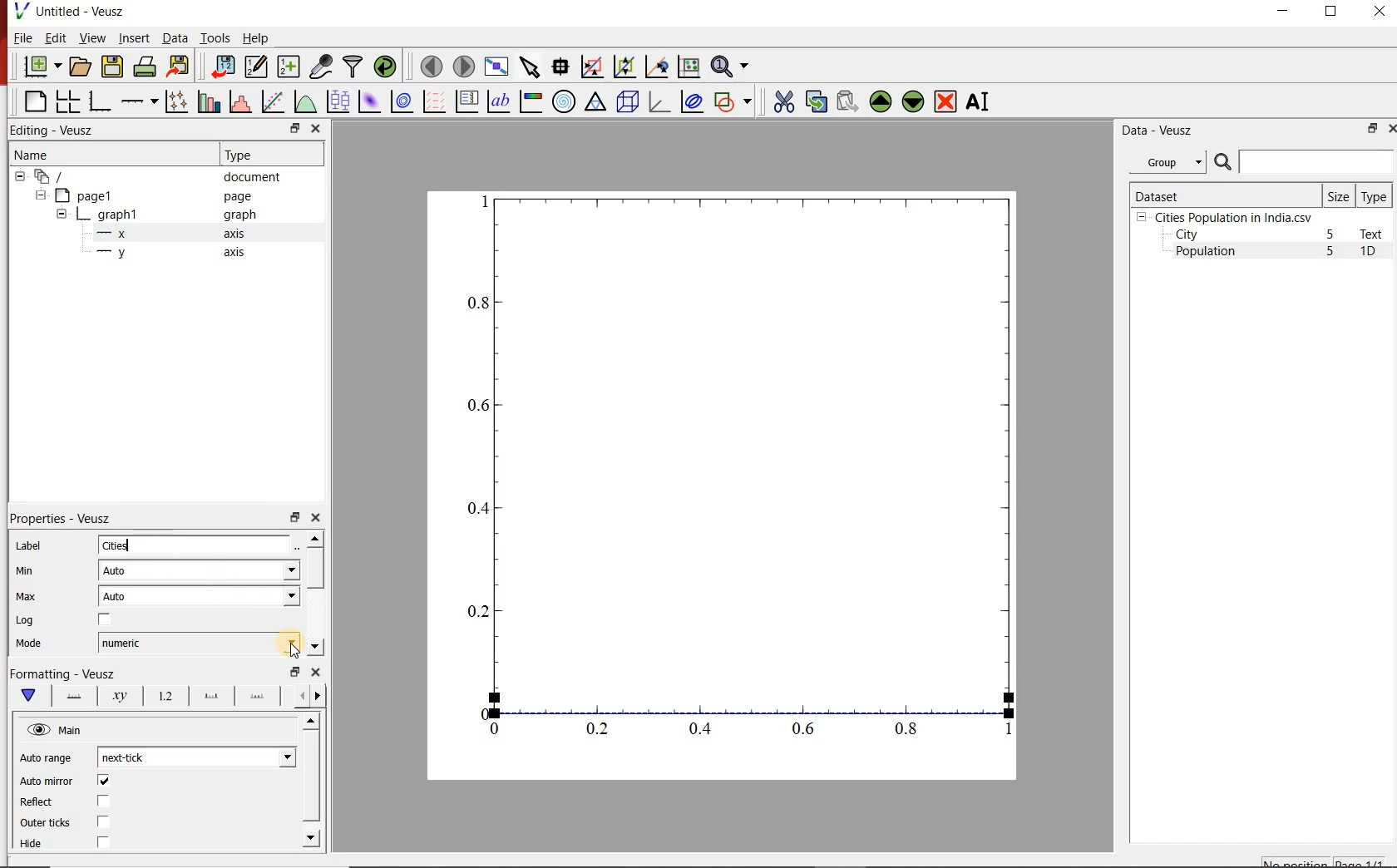  Describe the element at coordinates (238, 101) in the screenshot. I see `histogram of a dataset` at that location.